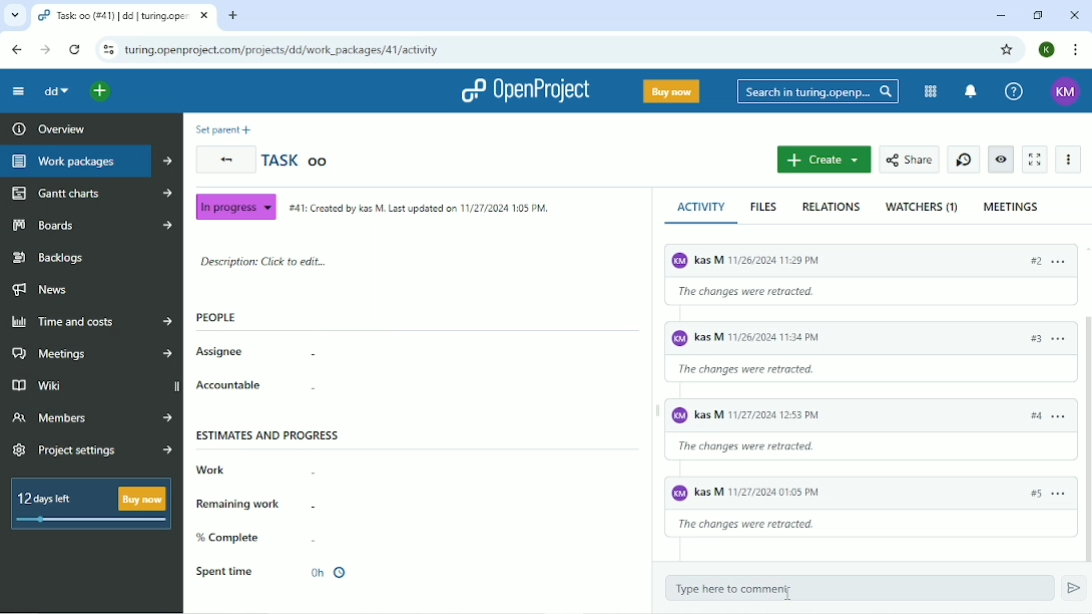 The width and height of the screenshot is (1092, 614). What do you see at coordinates (45, 50) in the screenshot?
I see `Forward` at bounding box center [45, 50].